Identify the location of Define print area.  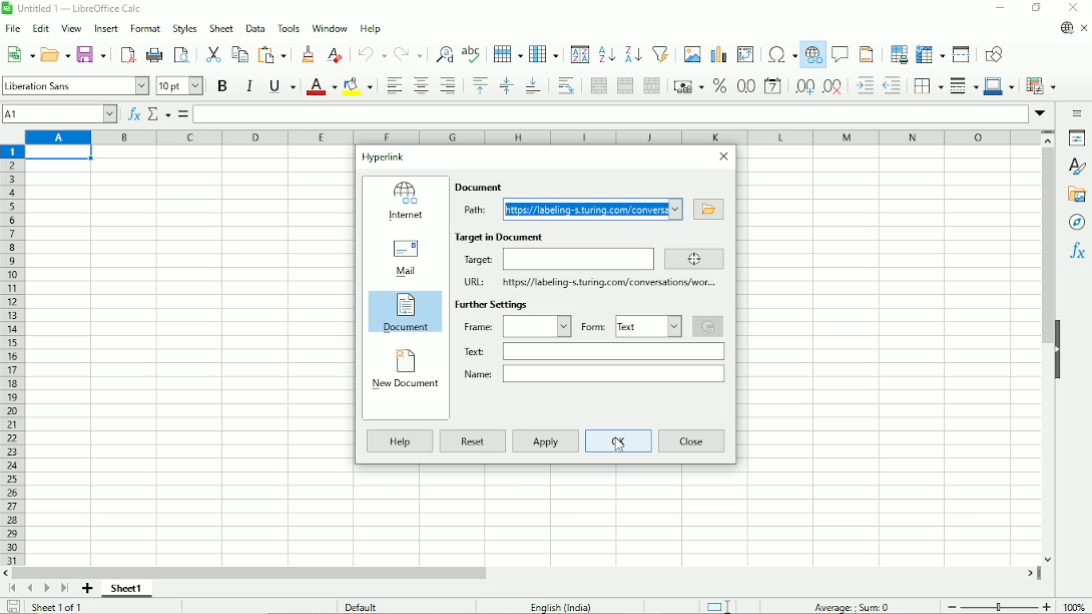
(898, 53).